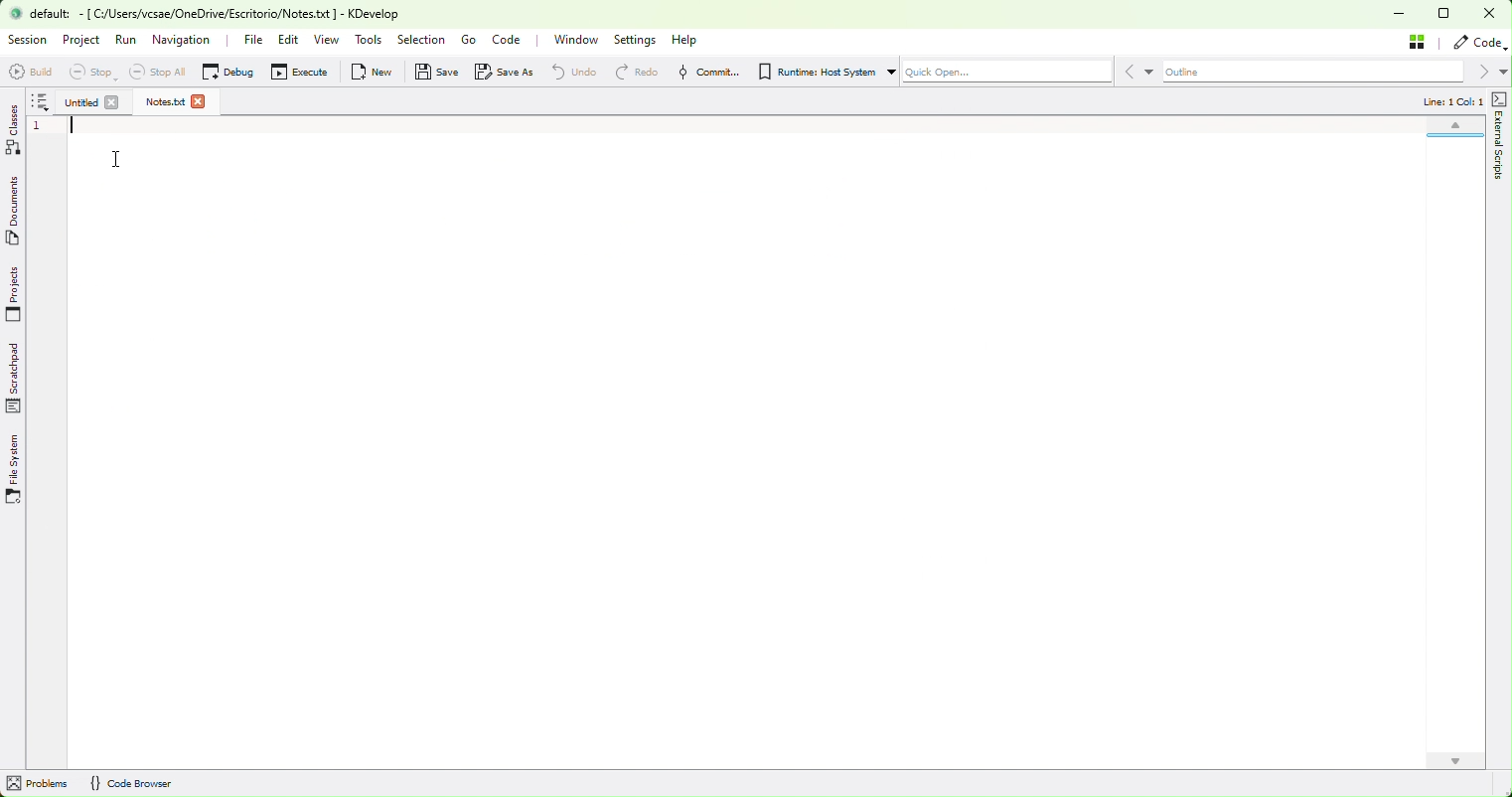  What do you see at coordinates (218, 14) in the screenshot?
I see `default: - [ C:/Users/vcsae/OneDrive/Escritorio/Notes.txt ] - KDevelop` at bounding box center [218, 14].